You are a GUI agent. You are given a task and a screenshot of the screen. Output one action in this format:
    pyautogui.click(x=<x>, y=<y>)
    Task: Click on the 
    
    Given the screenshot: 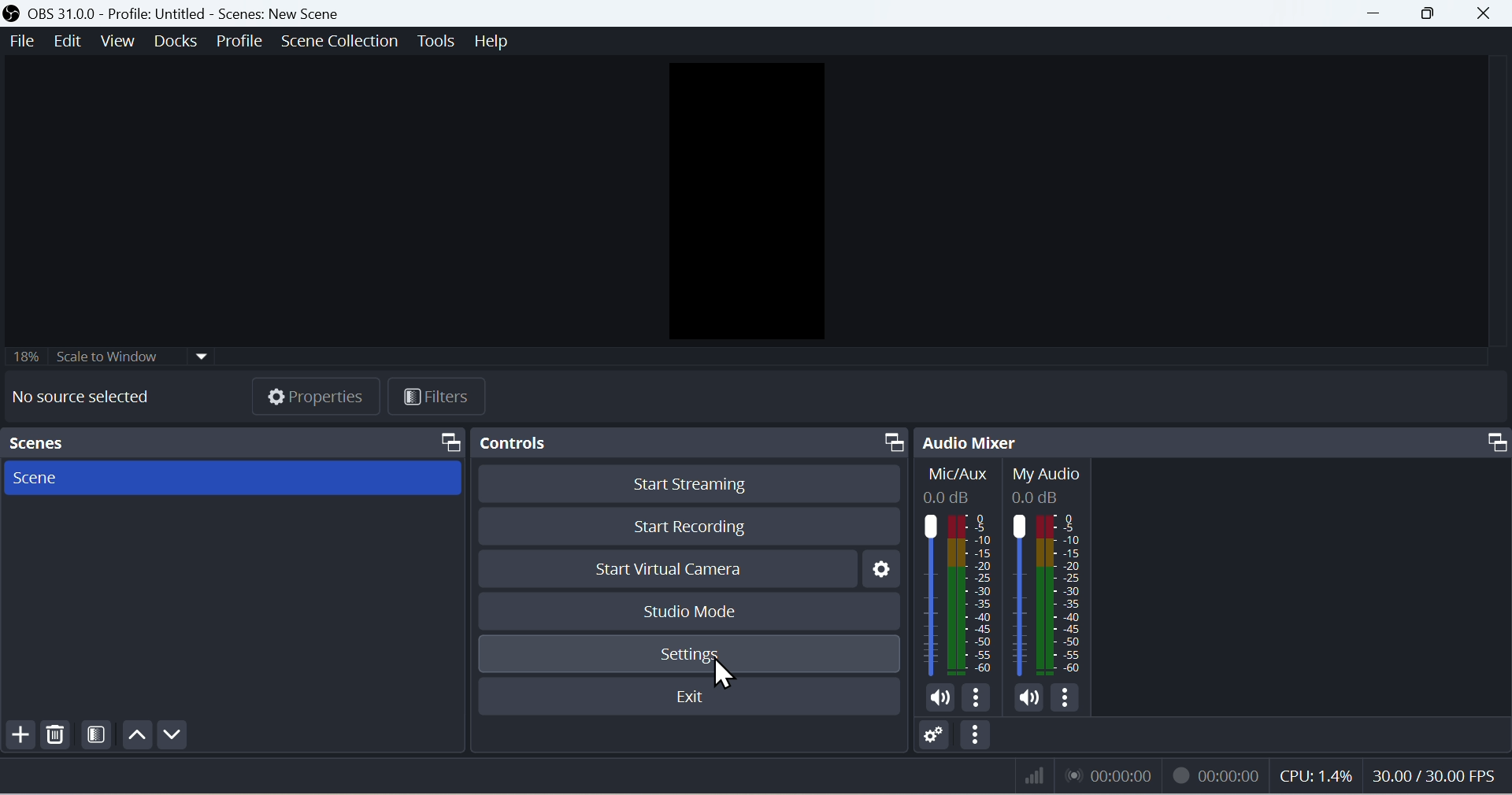 What is the action you would take?
    pyautogui.click(x=979, y=735)
    